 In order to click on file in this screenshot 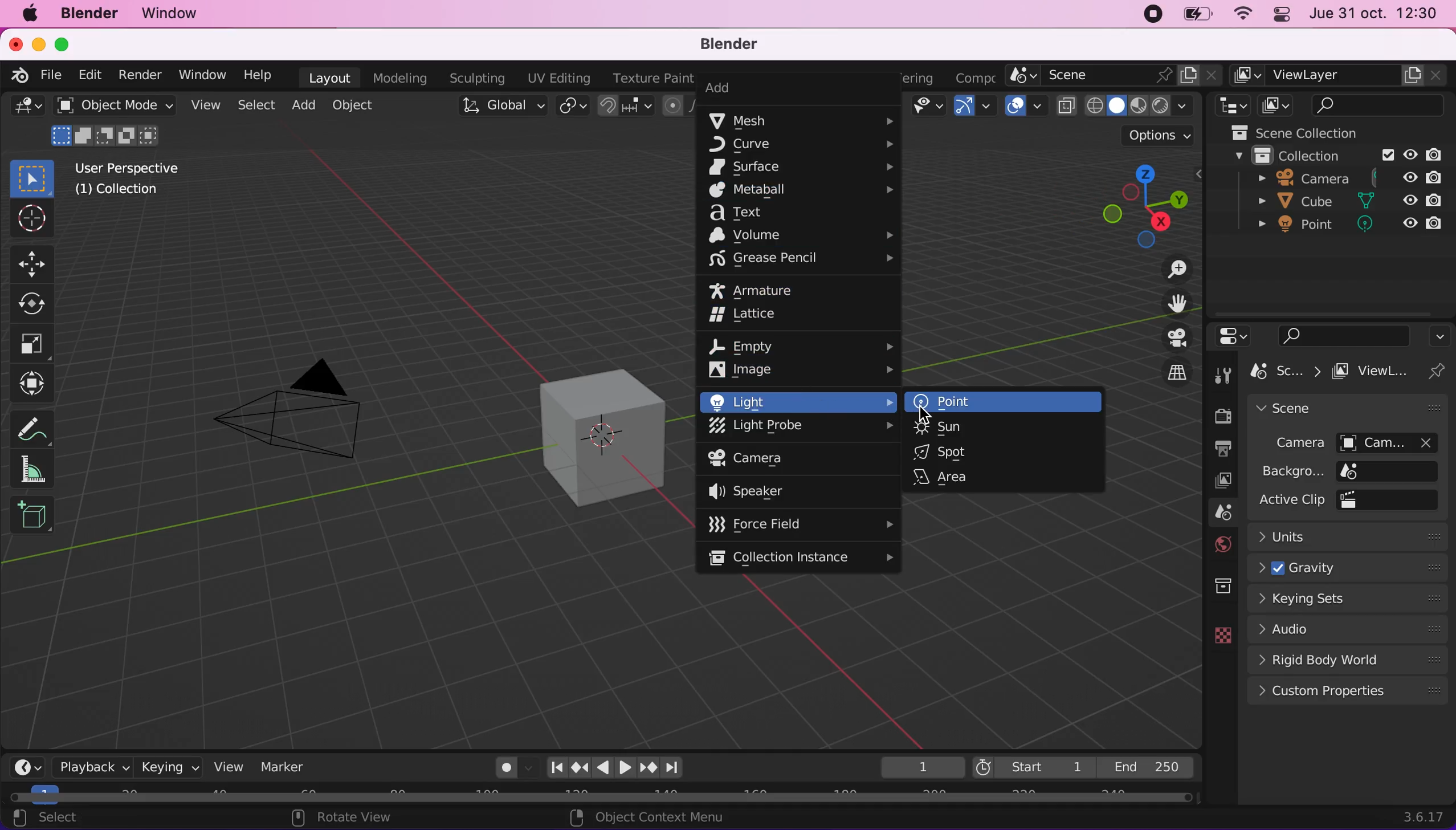, I will do `click(55, 76)`.